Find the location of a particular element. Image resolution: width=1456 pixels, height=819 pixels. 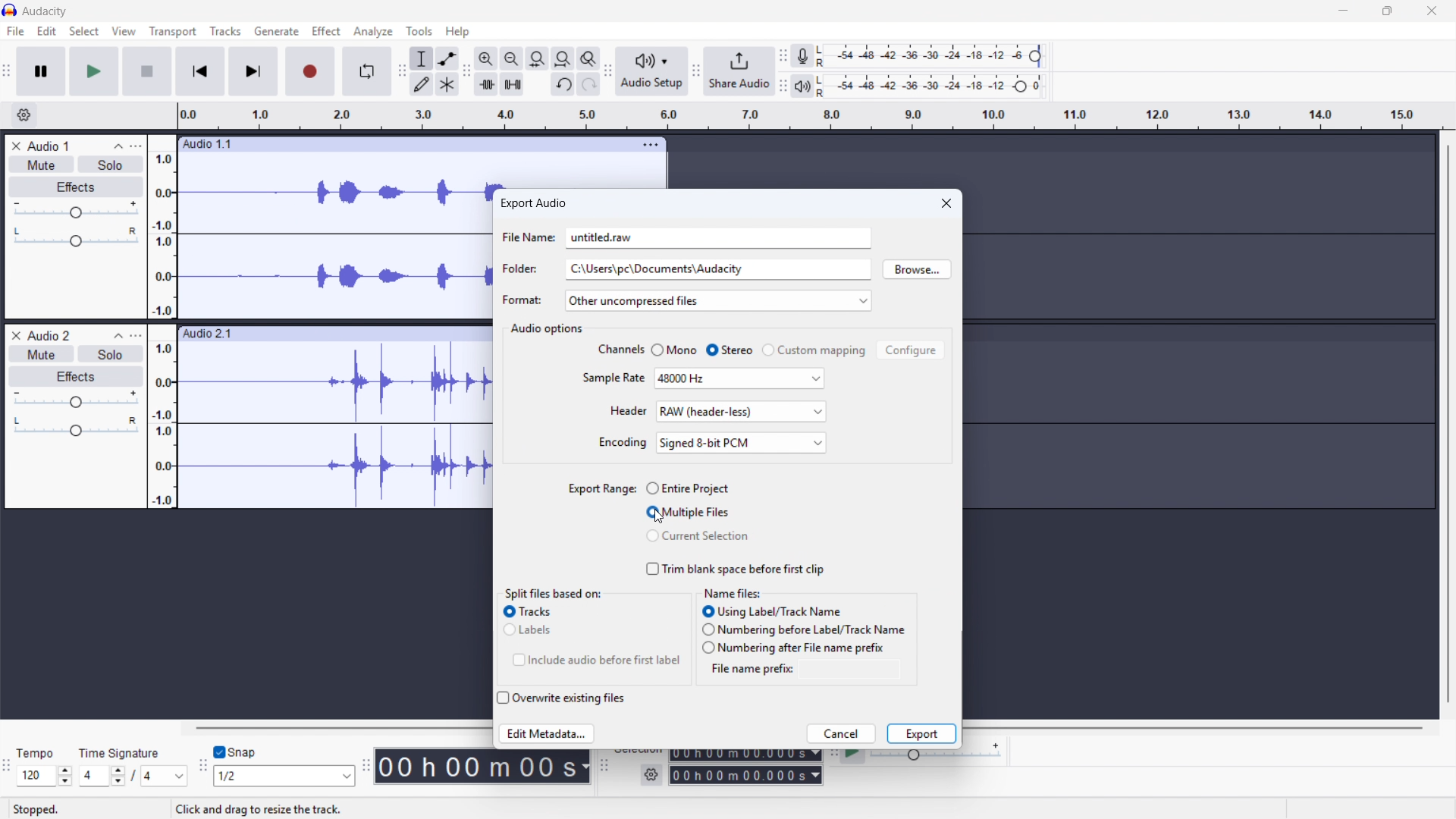

Edit metadata is located at coordinates (548, 735).